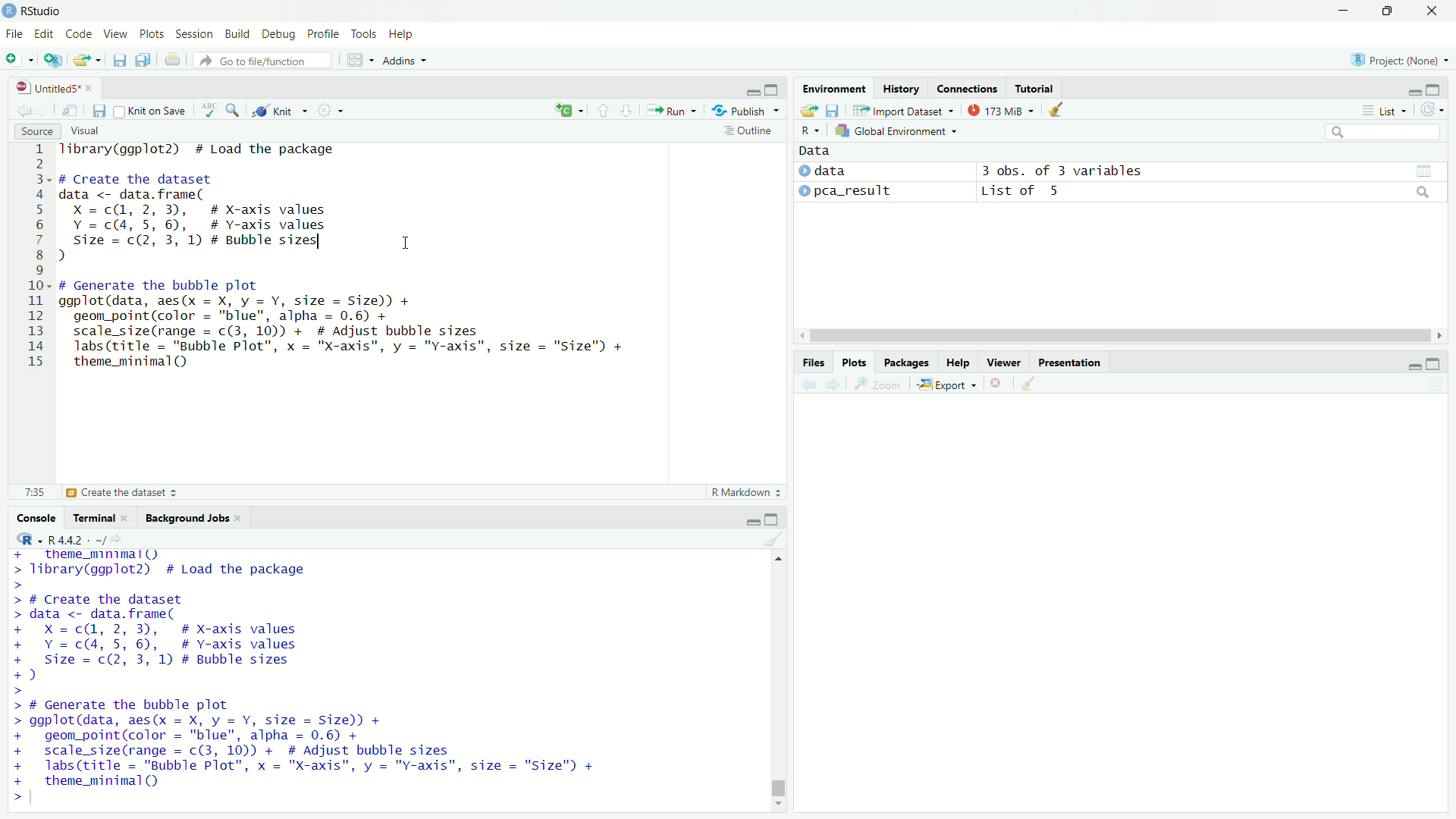 Image resolution: width=1456 pixels, height=819 pixels. What do you see at coordinates (101, 516) in the screenshot?
I see `terminal` at bounding box center [101, 516].